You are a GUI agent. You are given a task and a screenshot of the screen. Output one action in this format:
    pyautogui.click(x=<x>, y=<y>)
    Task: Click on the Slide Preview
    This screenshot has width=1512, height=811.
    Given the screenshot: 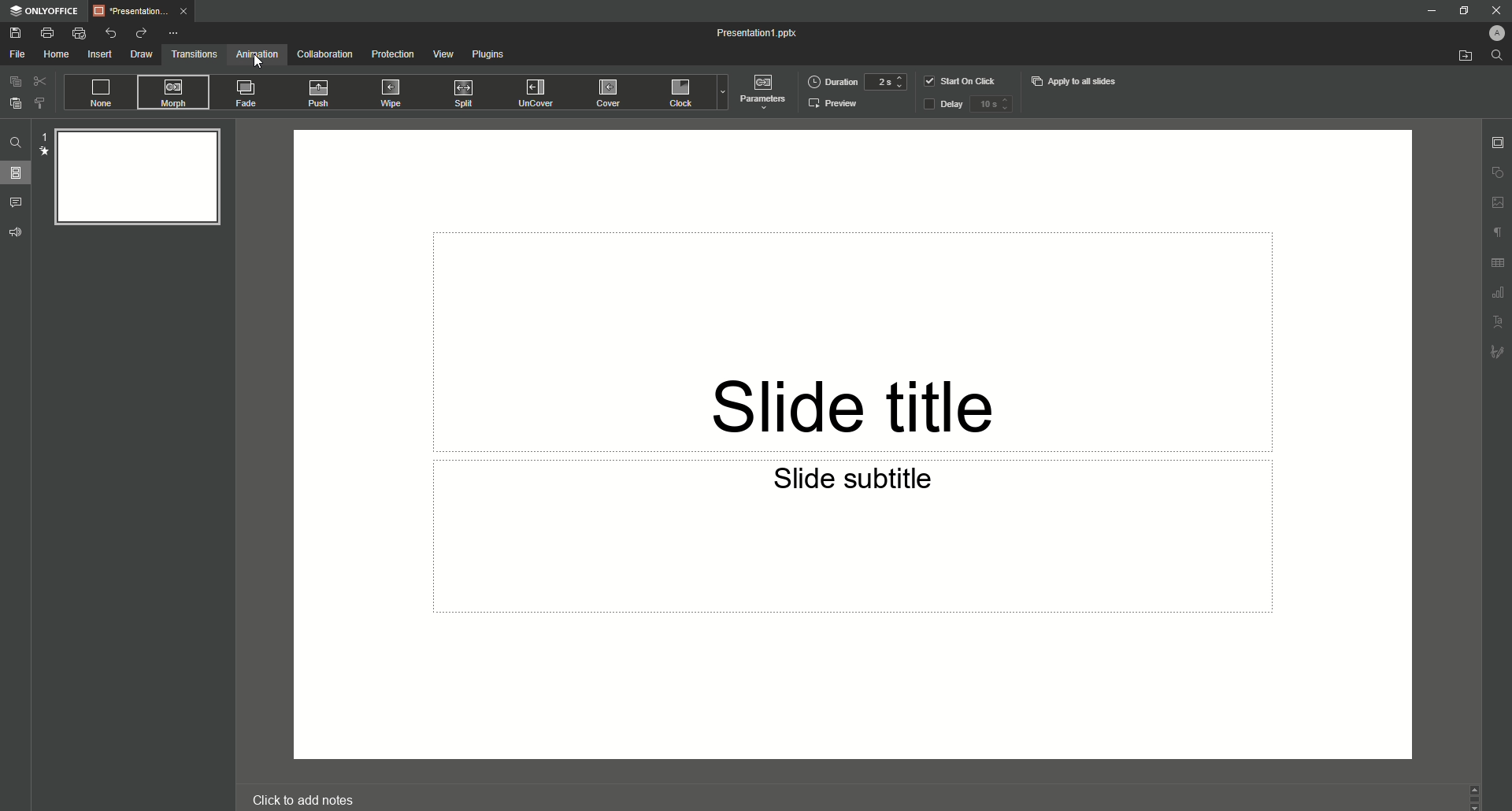 What is the action you would take?
    pyautogui.click(x=134, y=176)
    